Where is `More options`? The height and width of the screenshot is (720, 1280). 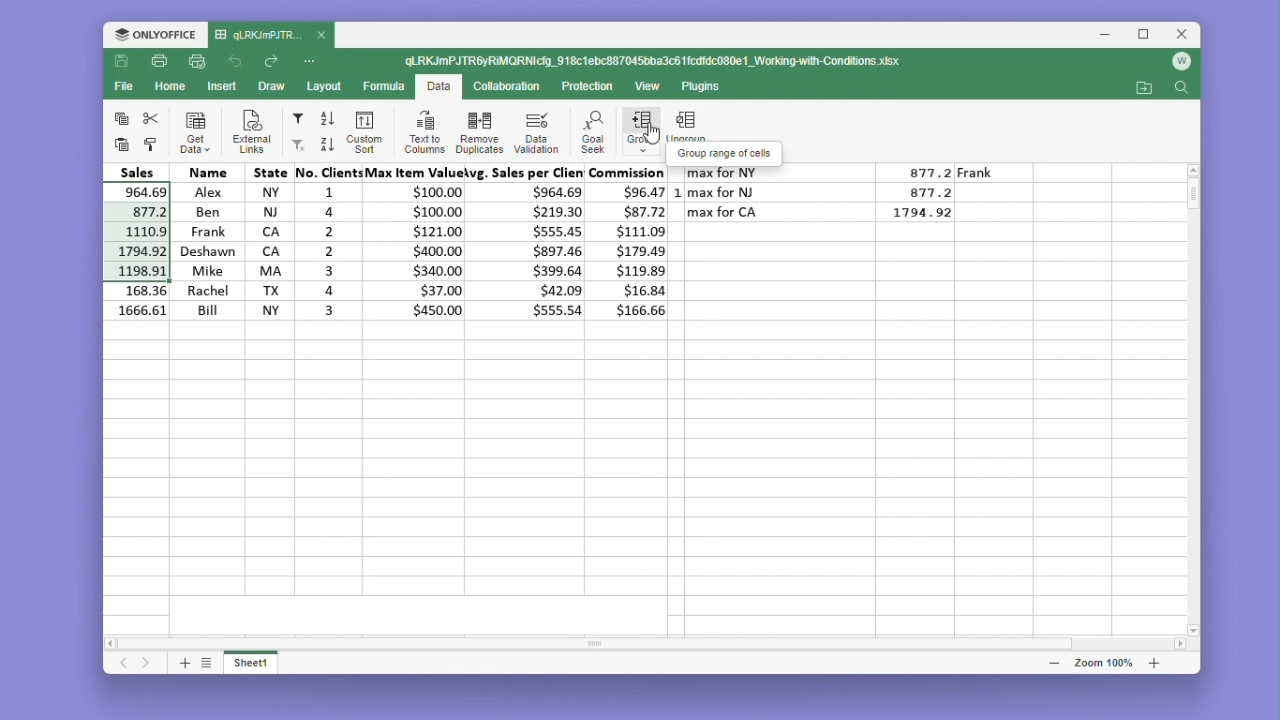 More options is located at coordinates (312, 60).